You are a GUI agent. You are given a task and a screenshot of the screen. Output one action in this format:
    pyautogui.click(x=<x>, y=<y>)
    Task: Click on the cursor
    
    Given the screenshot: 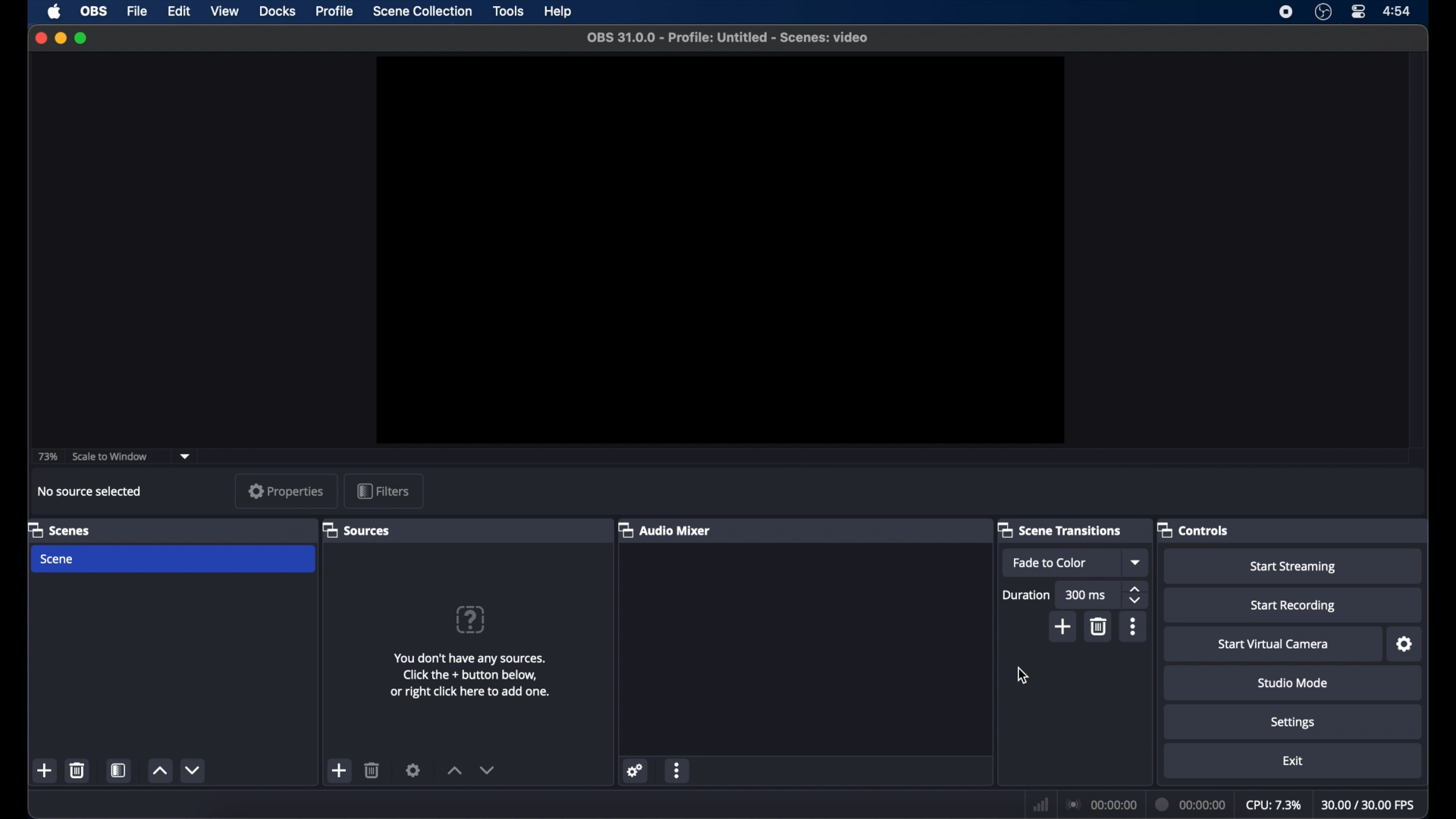 What is the action you would take?
    pyautogui.click(x=1022, y=675)
    